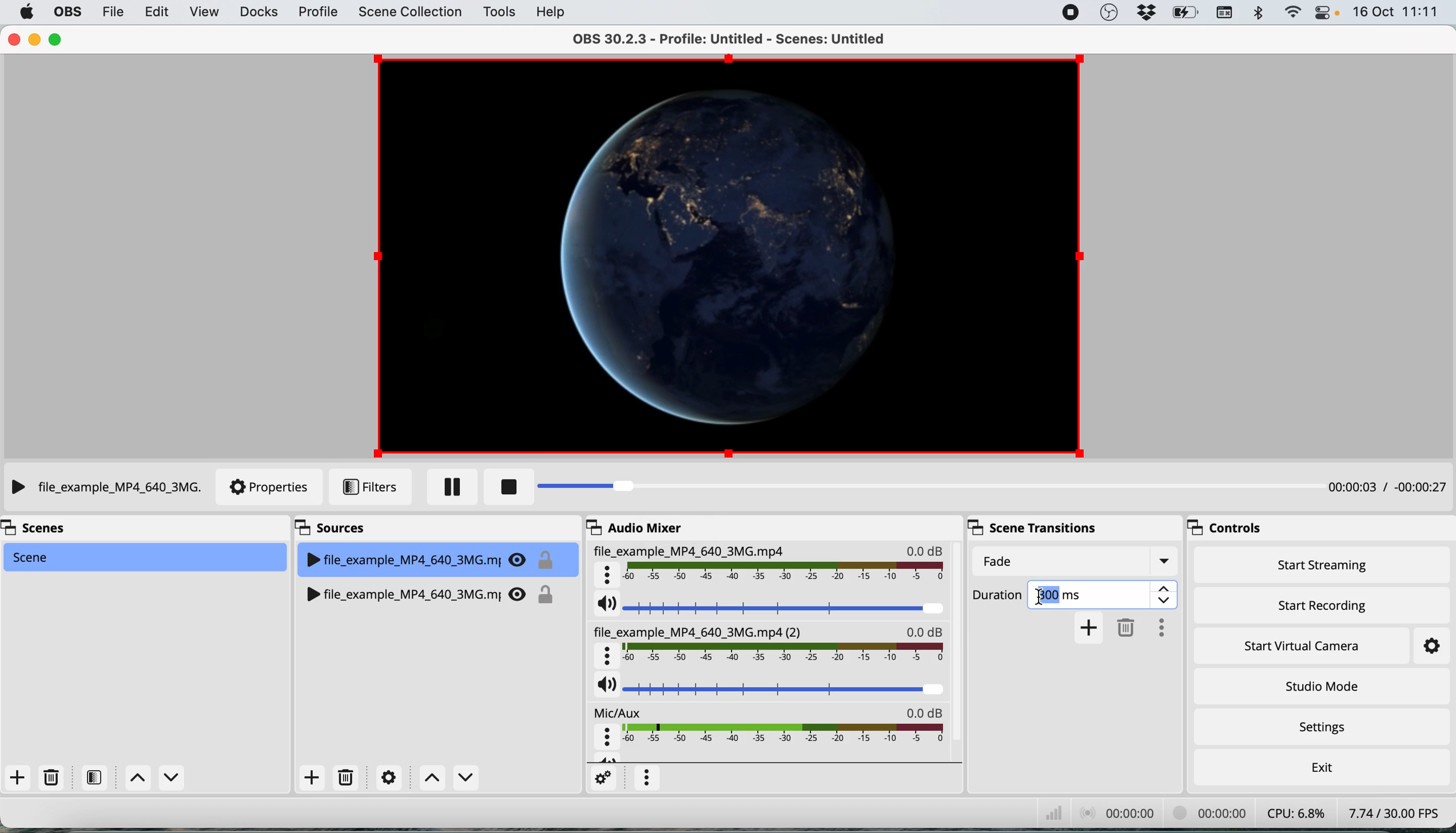 The width and height of the screenshot is (1456, 833). What do you see at coordinates (155, 777) in the screenshot?
I see `switch between scenes` at bounding box center [155, 777].